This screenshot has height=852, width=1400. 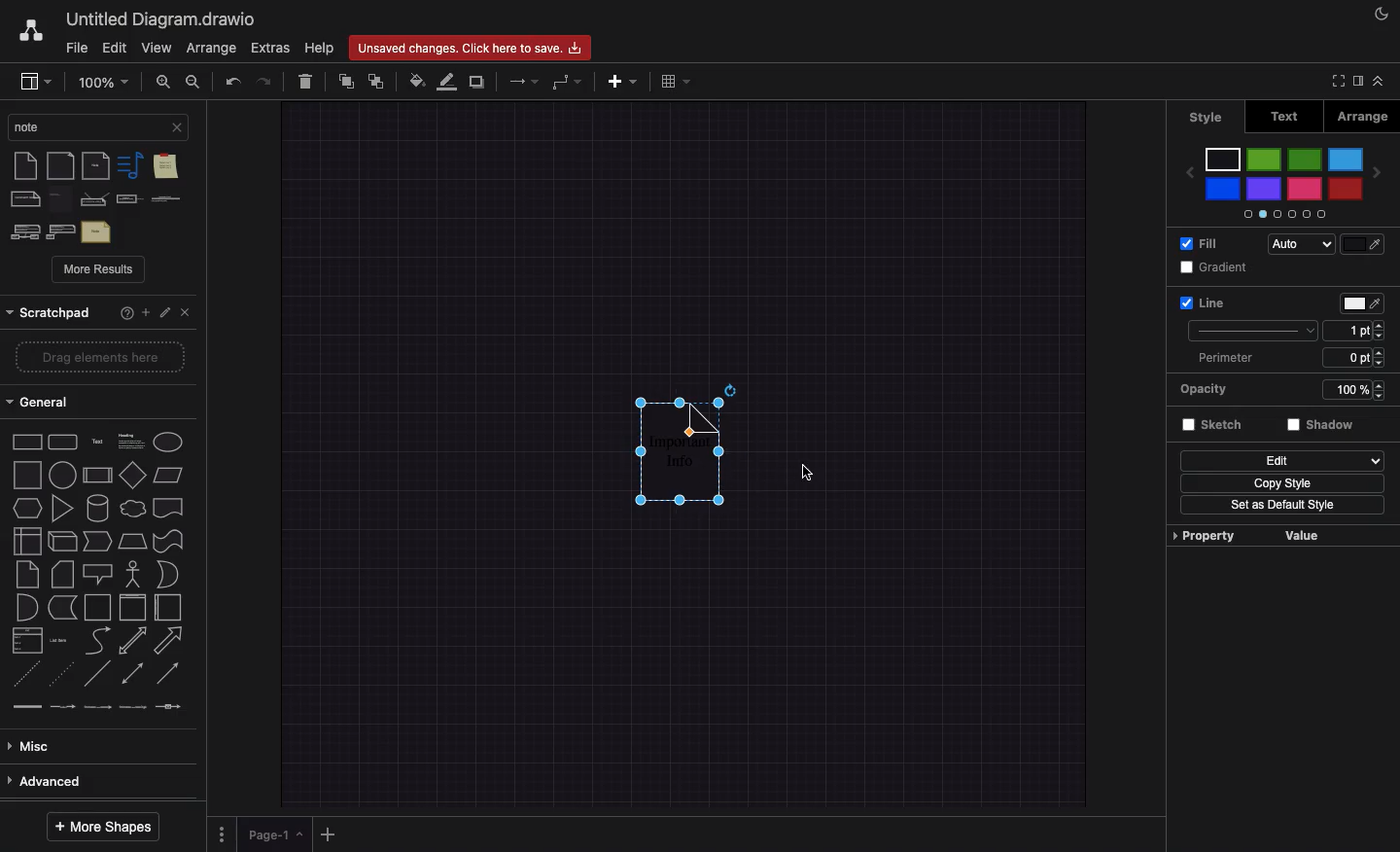 What do you see at coordinates (65, 510) in the screenshot?
I see `triangle` at bounding box center [65, 510].